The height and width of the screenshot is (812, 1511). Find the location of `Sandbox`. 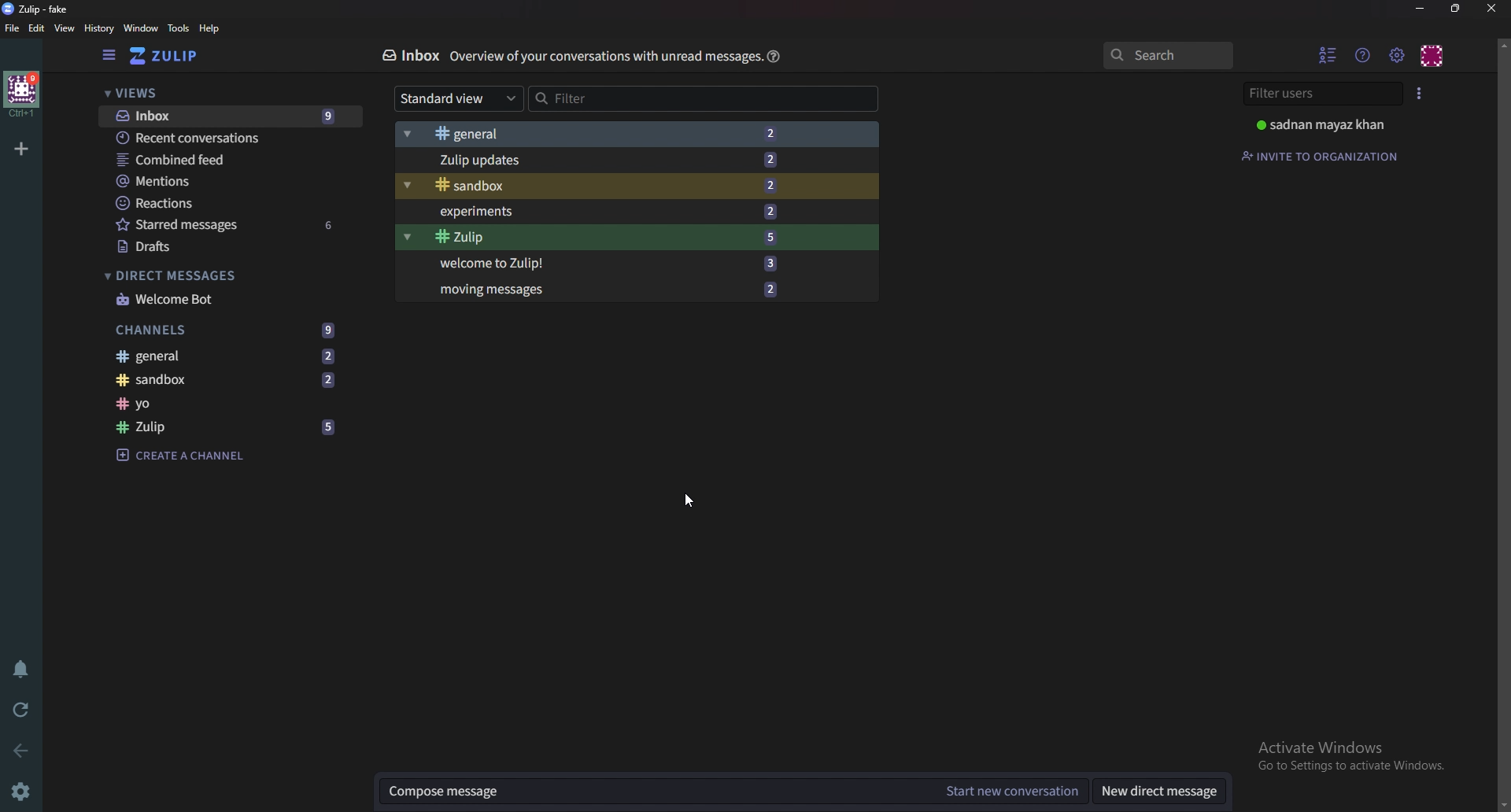

Sandbox is located at coordinates (226, 381).